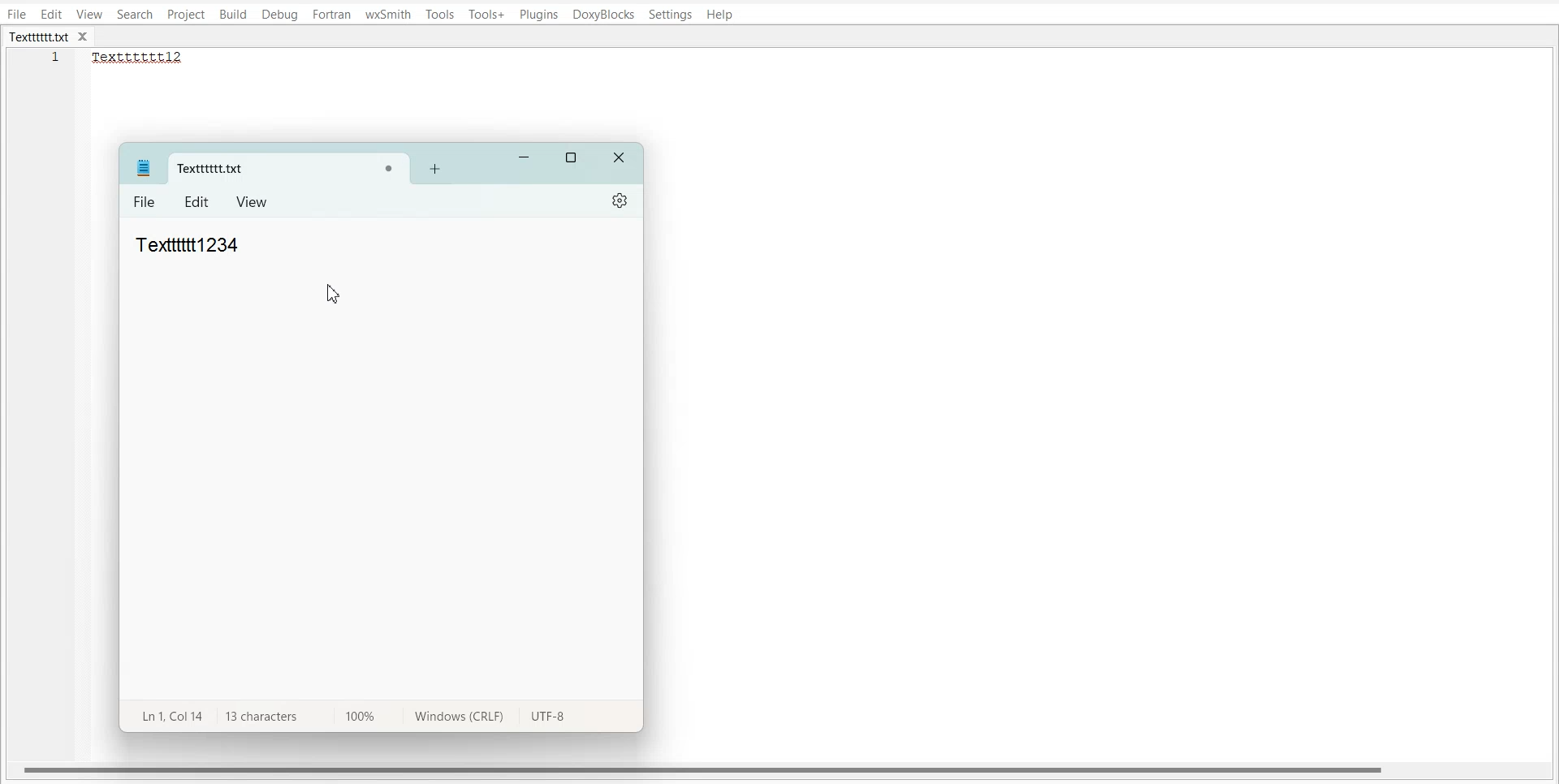 The image size is (1559, 784). I want to click on Project, so click(185, 15).